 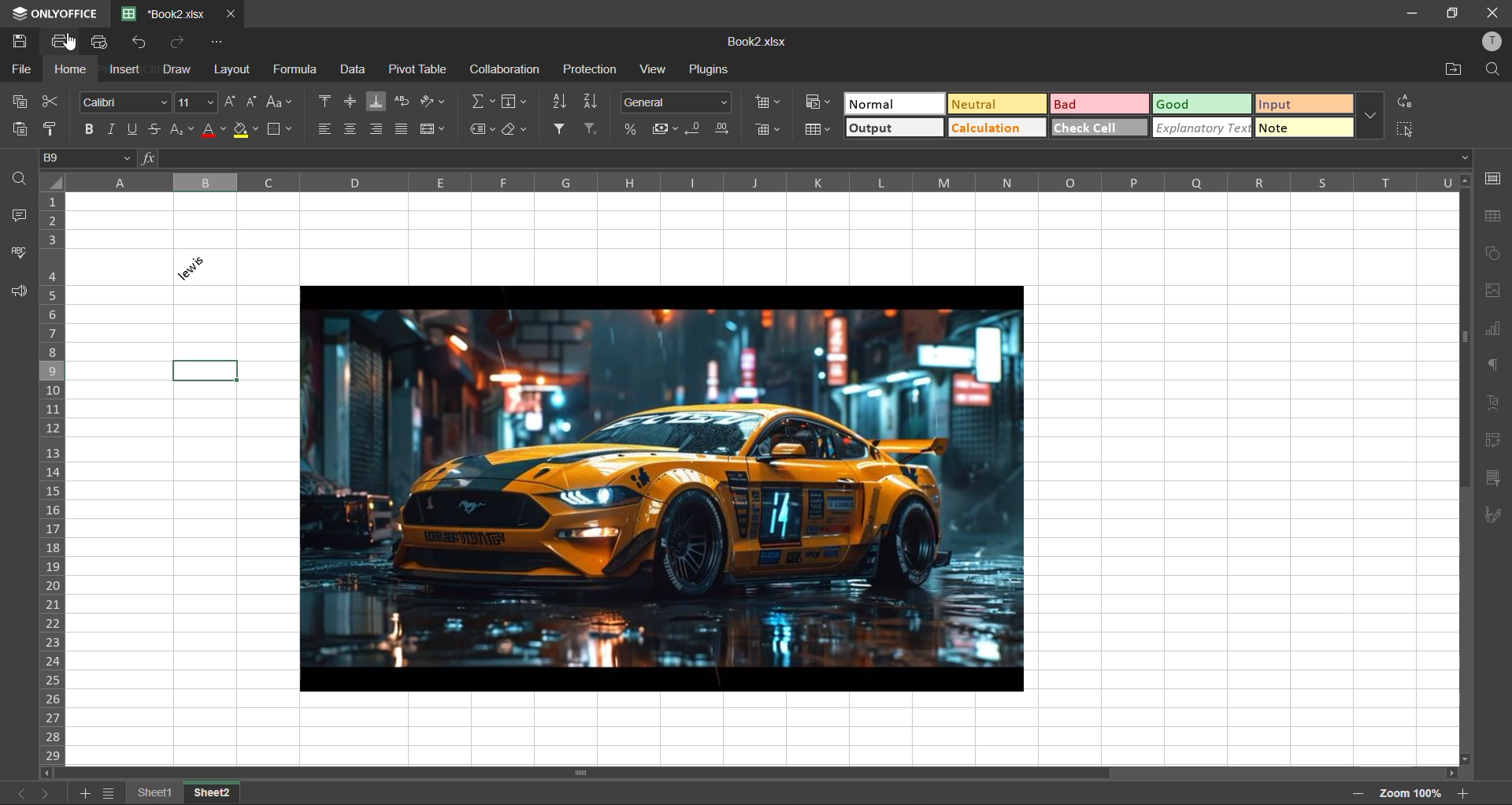 I want to click on minimize, so click(x=1409, y=13).